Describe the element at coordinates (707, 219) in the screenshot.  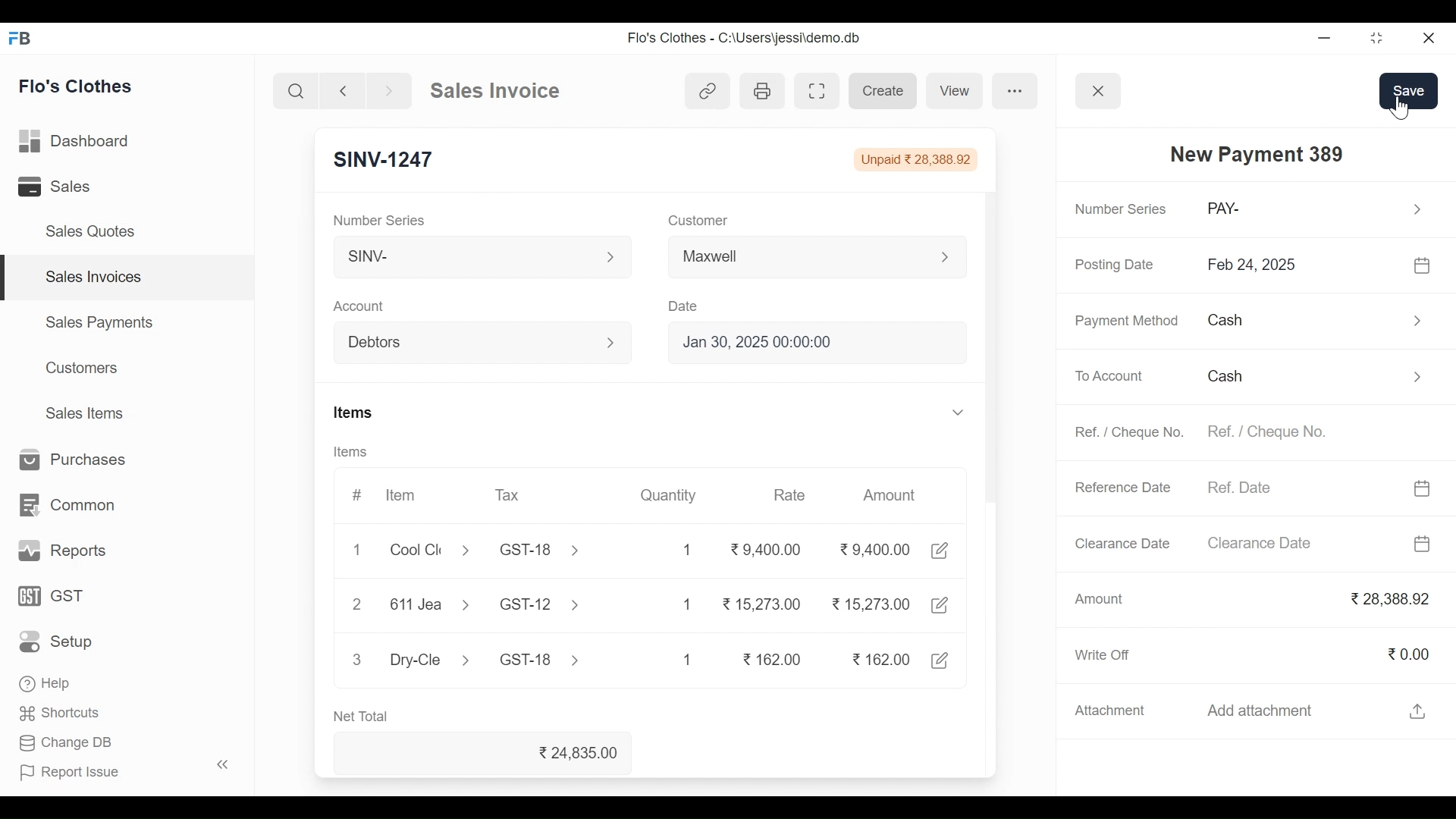
I see `Customer` at that location.